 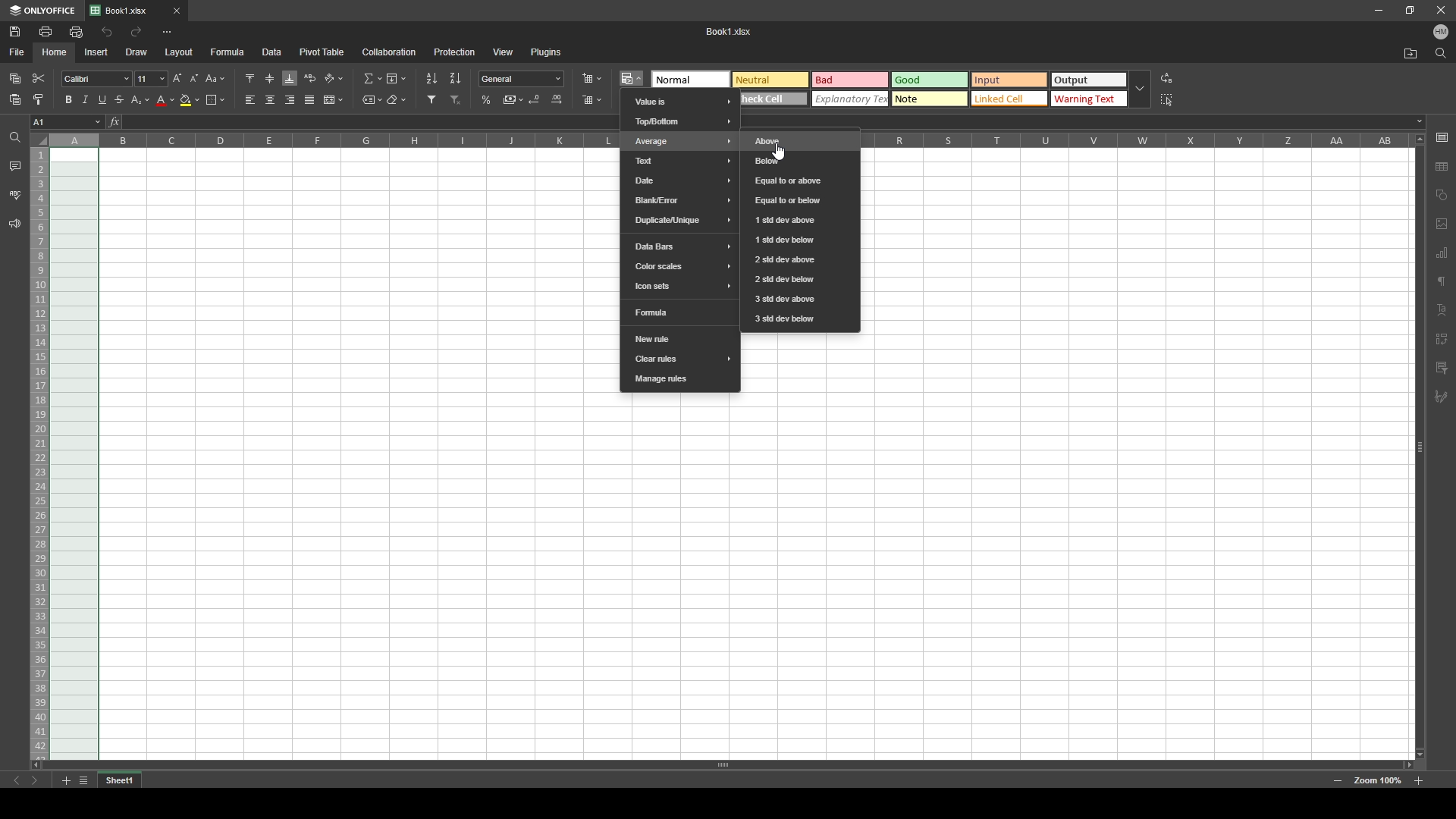 I want to click on remove filter, so click(x=457, y=99).